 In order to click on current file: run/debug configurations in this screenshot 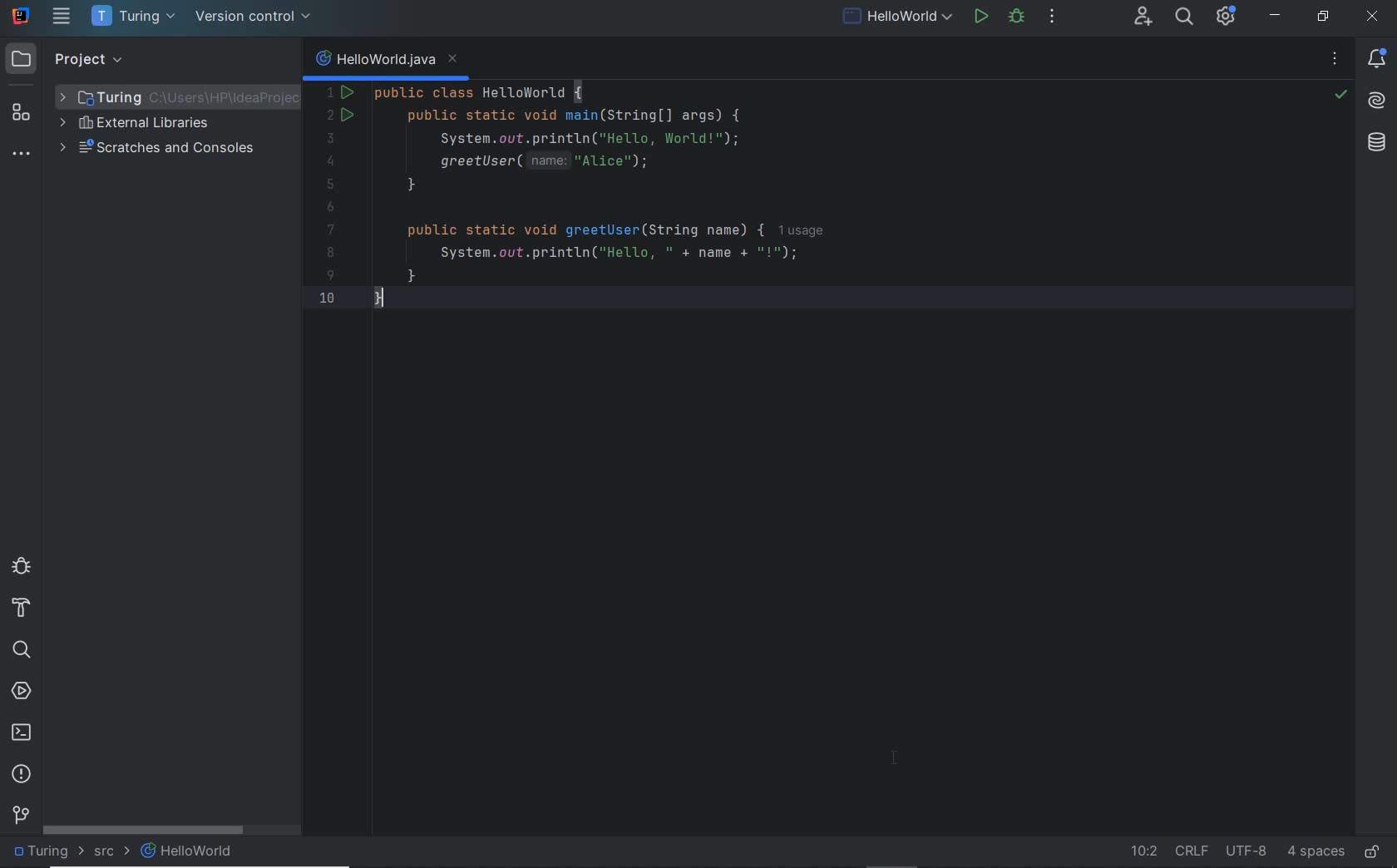, I will do `click(891, 17)`.